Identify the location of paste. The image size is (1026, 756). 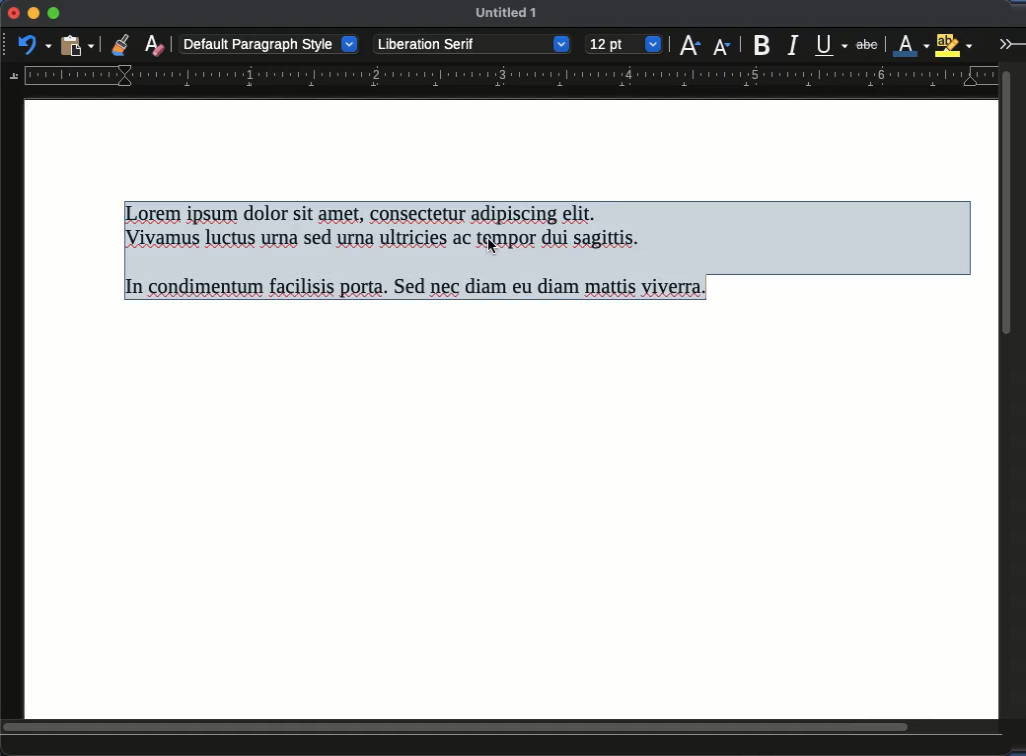
(79, 44).